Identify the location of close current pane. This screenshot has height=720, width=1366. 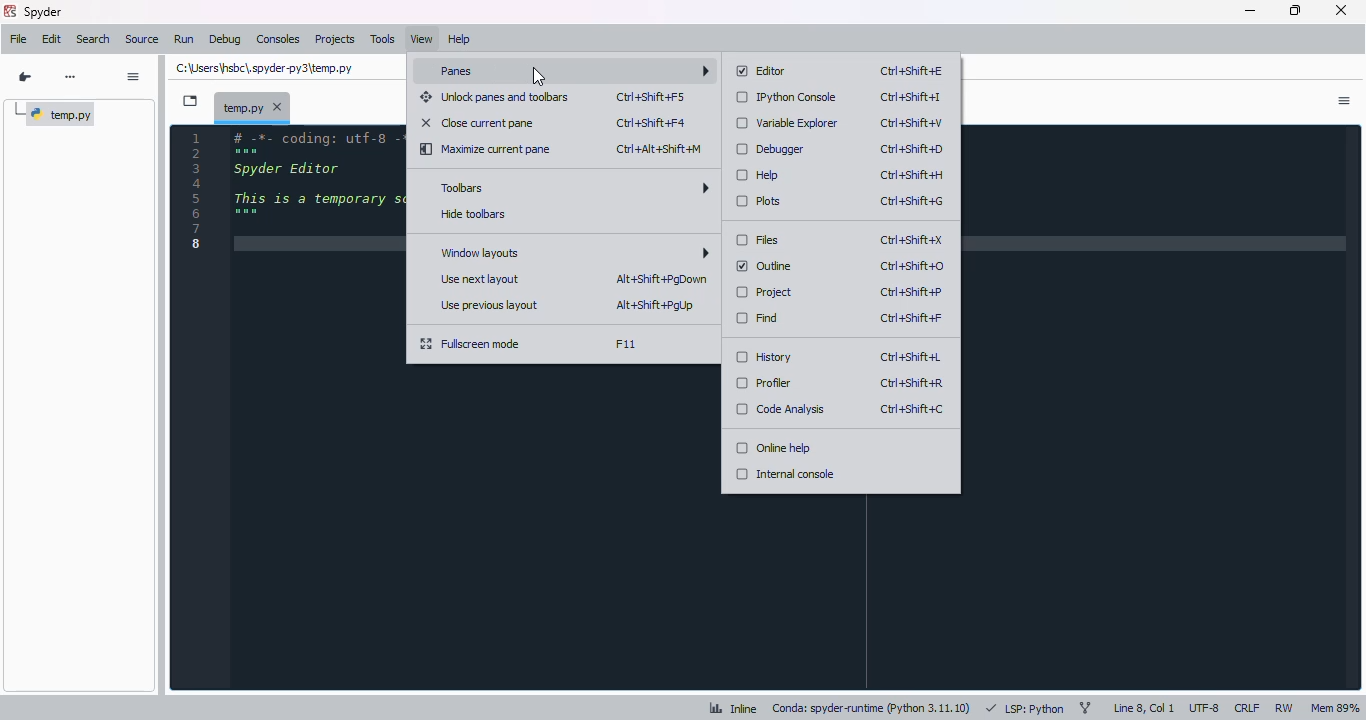
(478, 122).